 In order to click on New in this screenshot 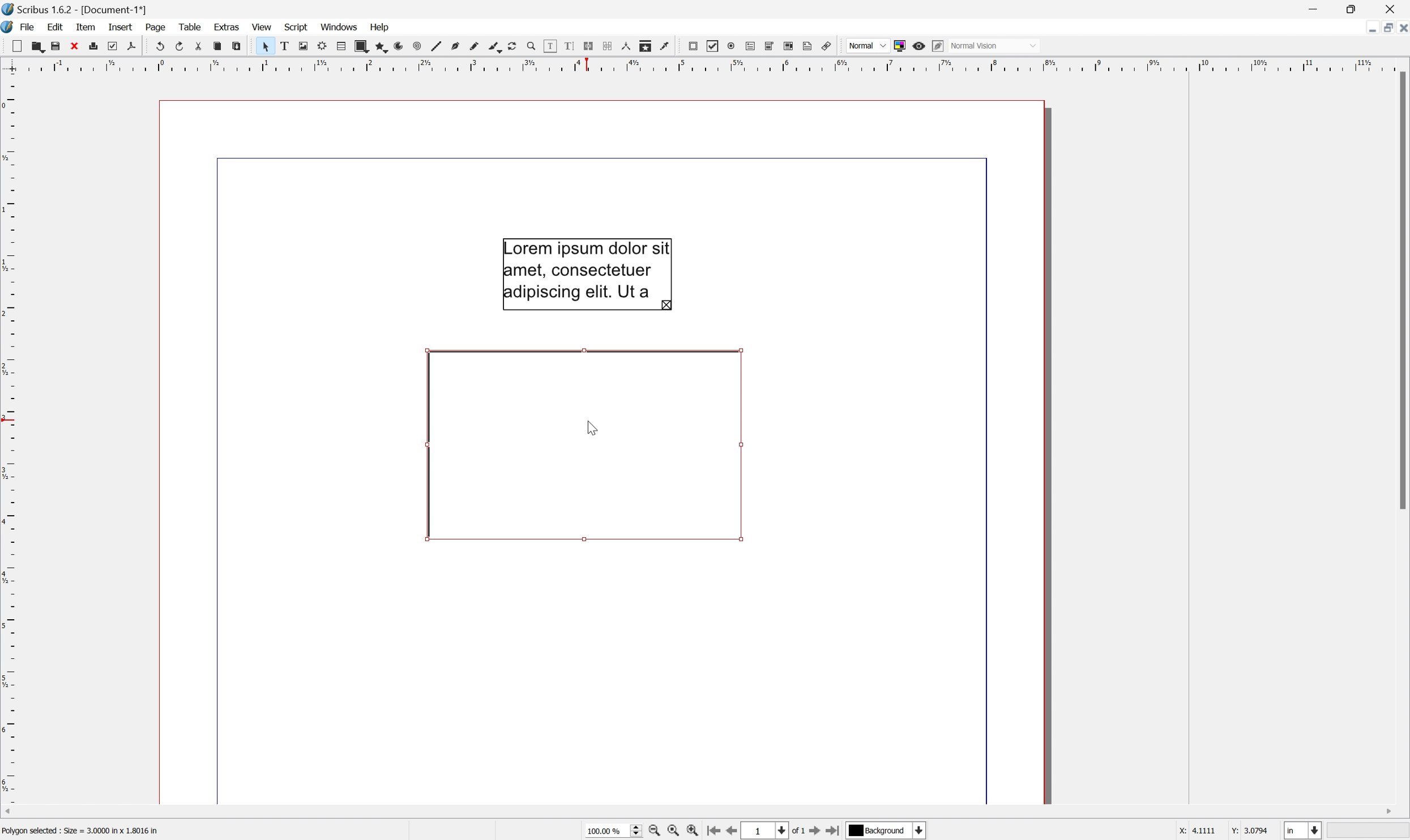, I will do `click(11, 46)`.